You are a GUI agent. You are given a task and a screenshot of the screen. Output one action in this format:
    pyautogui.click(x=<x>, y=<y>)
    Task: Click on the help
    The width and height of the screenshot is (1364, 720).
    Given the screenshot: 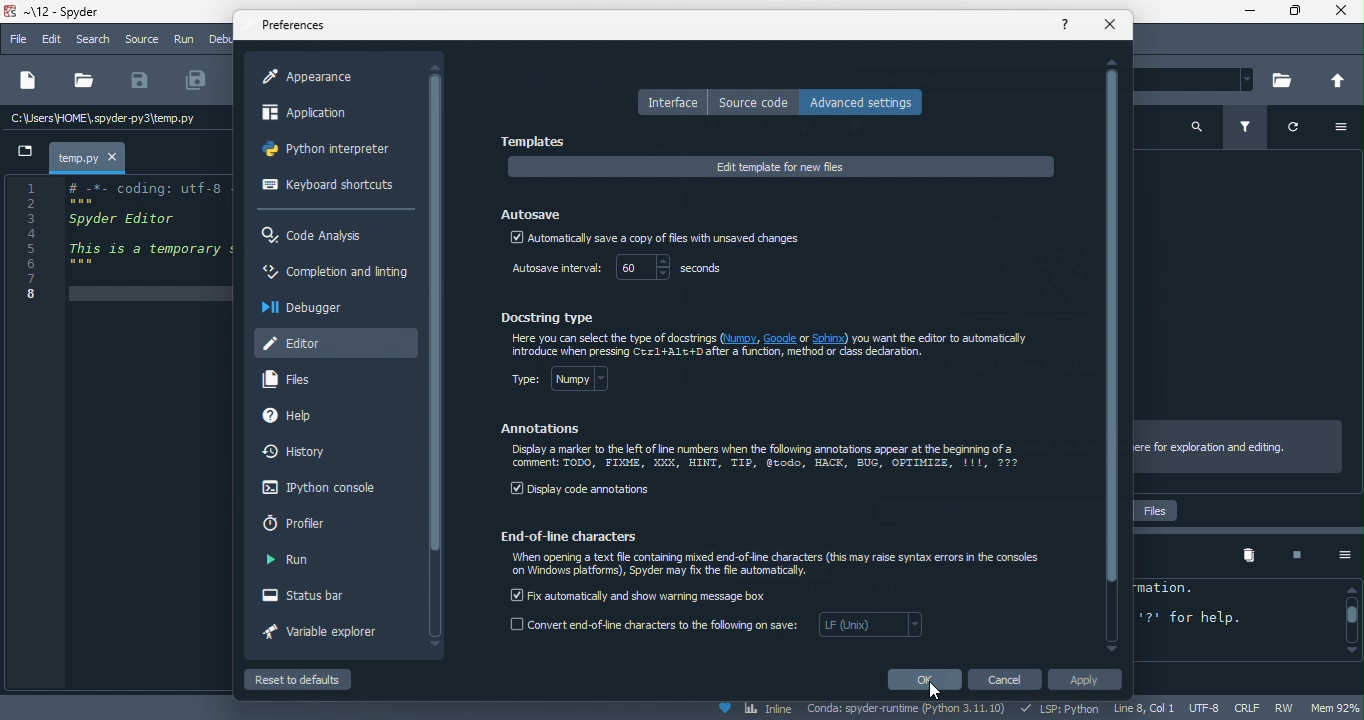 What is the action you would take?
    pyautogui.click(x=1066, y=23)
    